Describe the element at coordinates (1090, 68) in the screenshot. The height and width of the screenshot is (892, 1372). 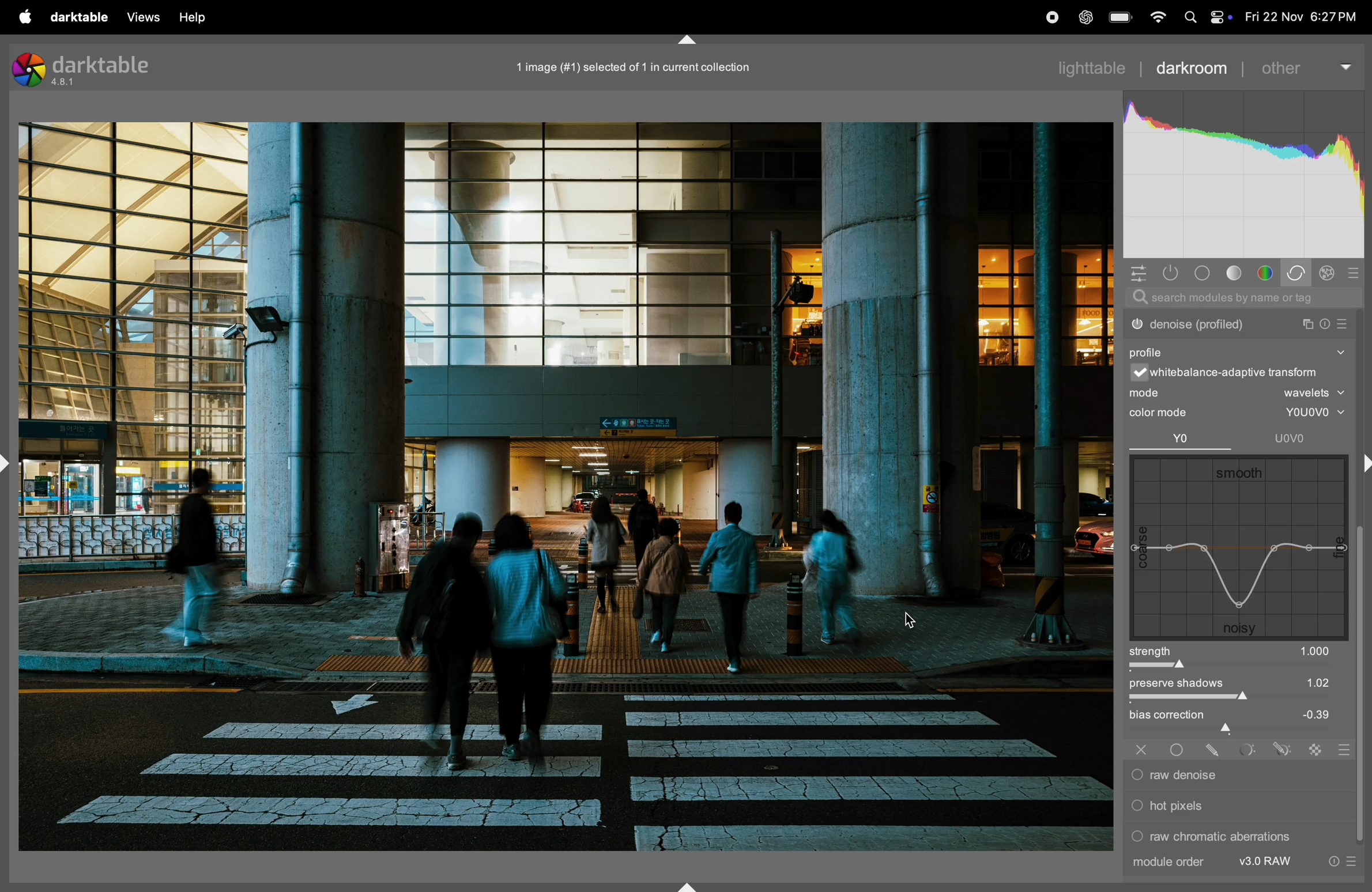
I see `lighttable` at that location.